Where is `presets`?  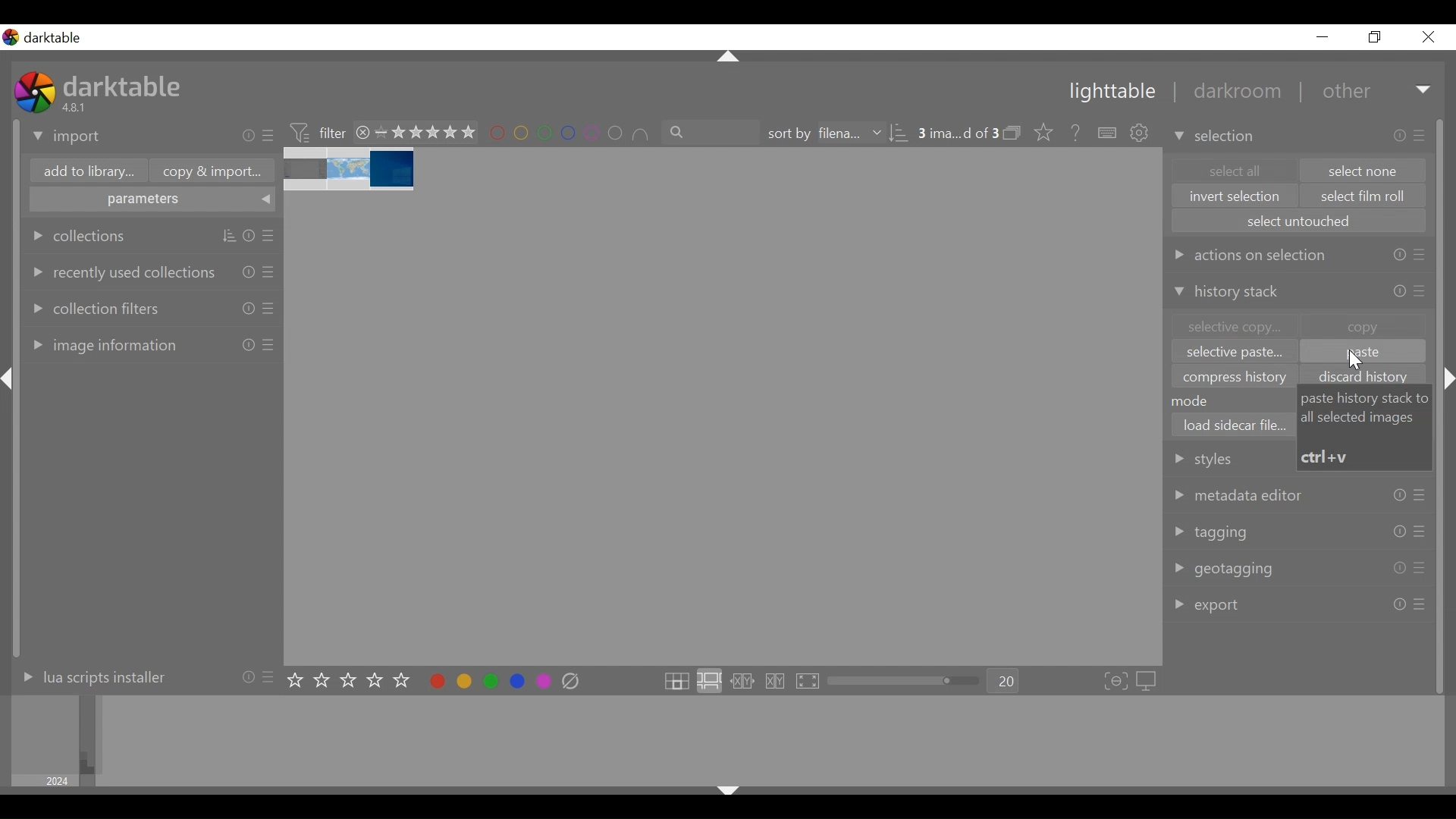 presets is located at coordinates (1420, 257).